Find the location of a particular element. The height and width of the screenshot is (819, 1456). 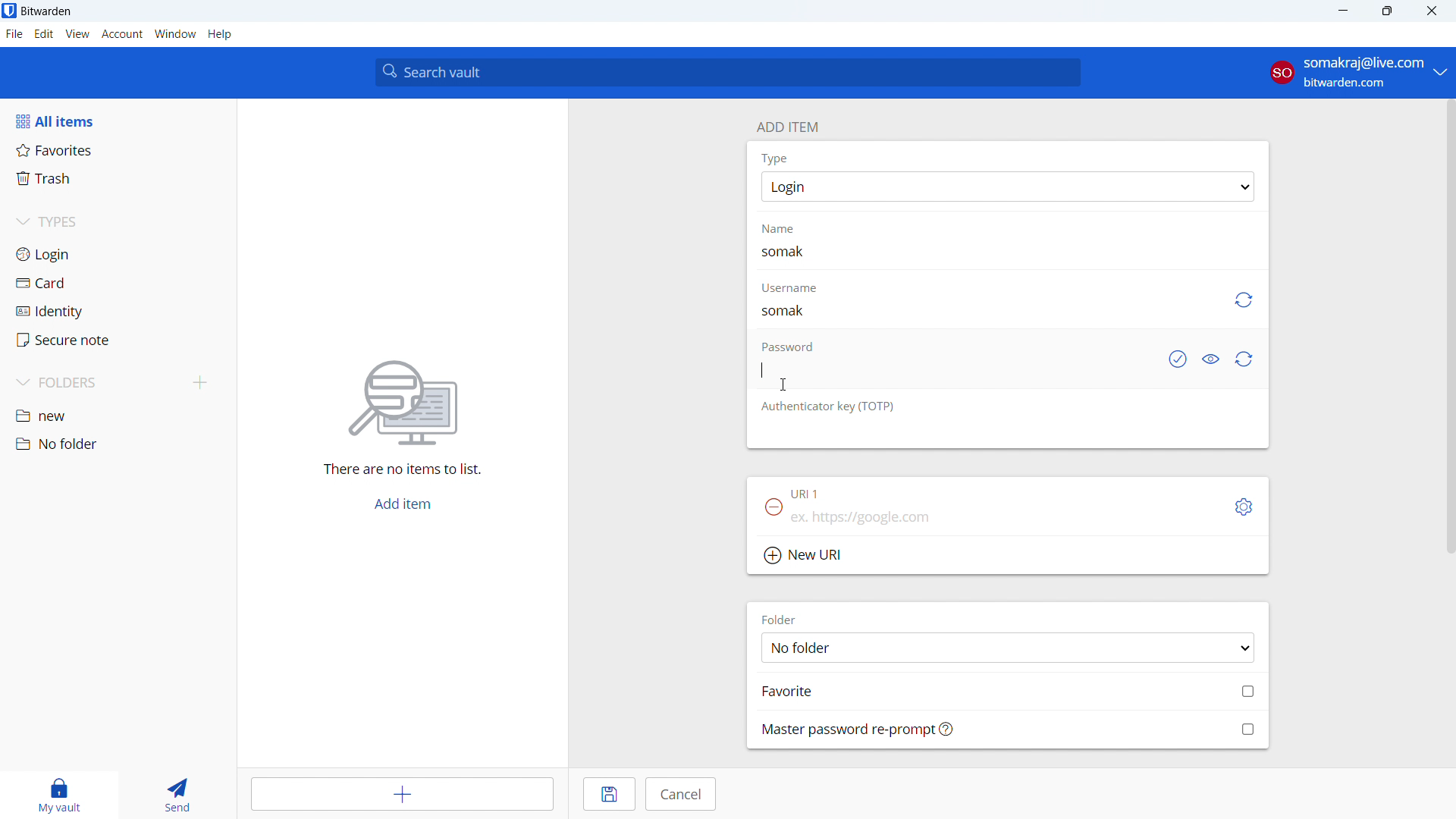

window is located at coordinates (175, 34).